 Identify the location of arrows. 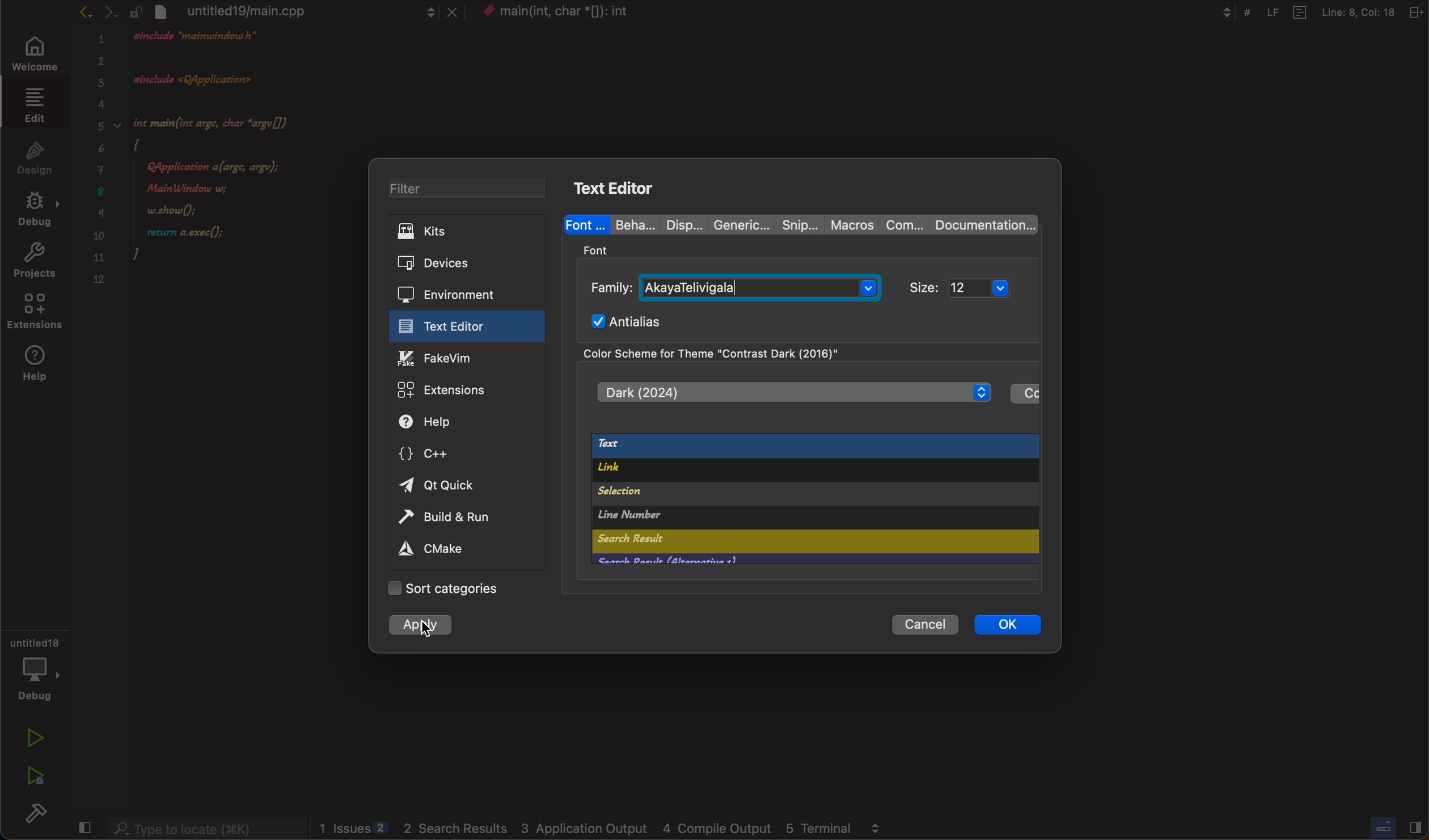
(108, 12).